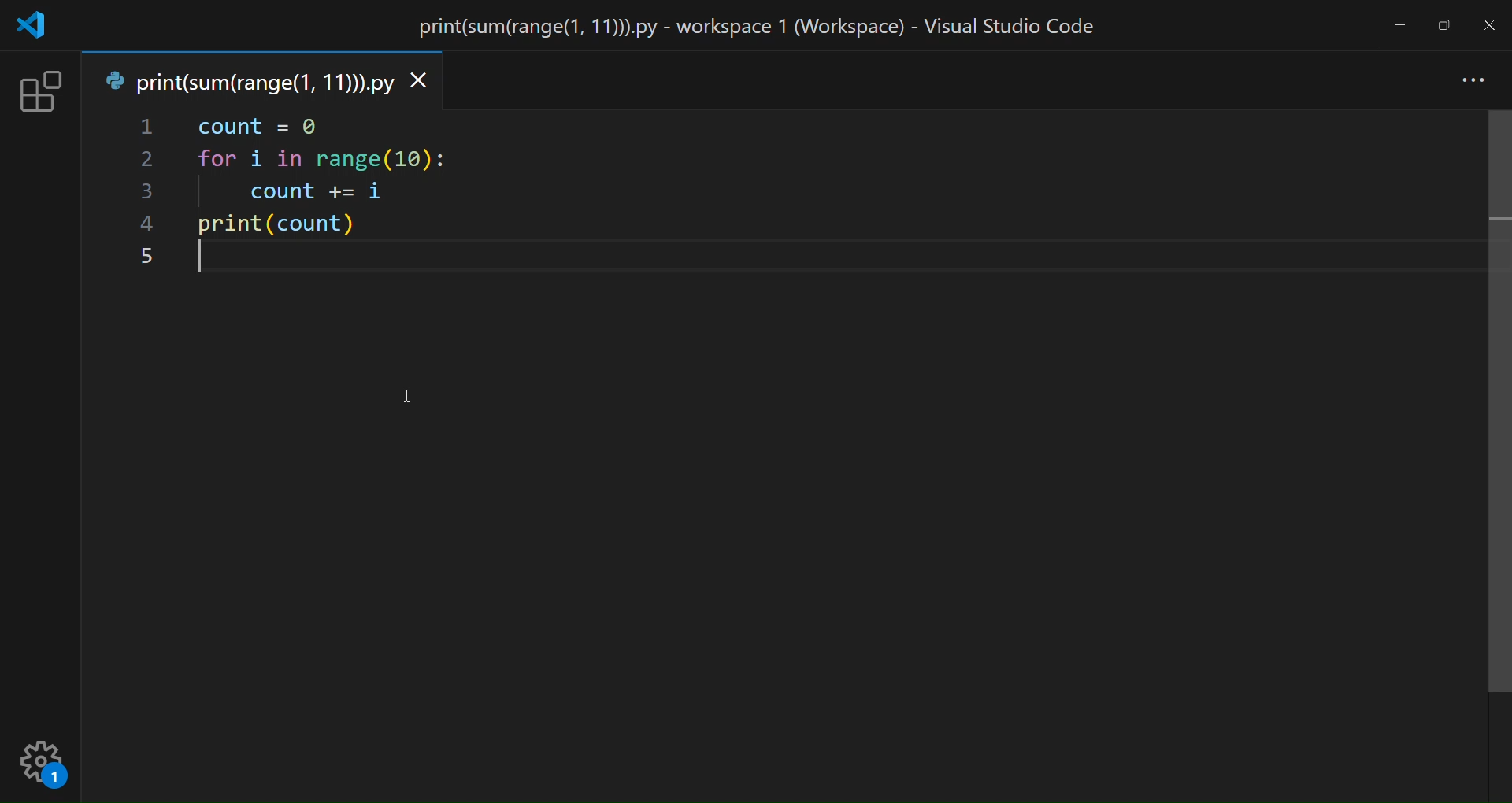 The height and width of the screenshot is (803, 1512). What do you see at coordinates (407, 396) in the screenshot?
I see `cursor` at bounding box center [407, 396].